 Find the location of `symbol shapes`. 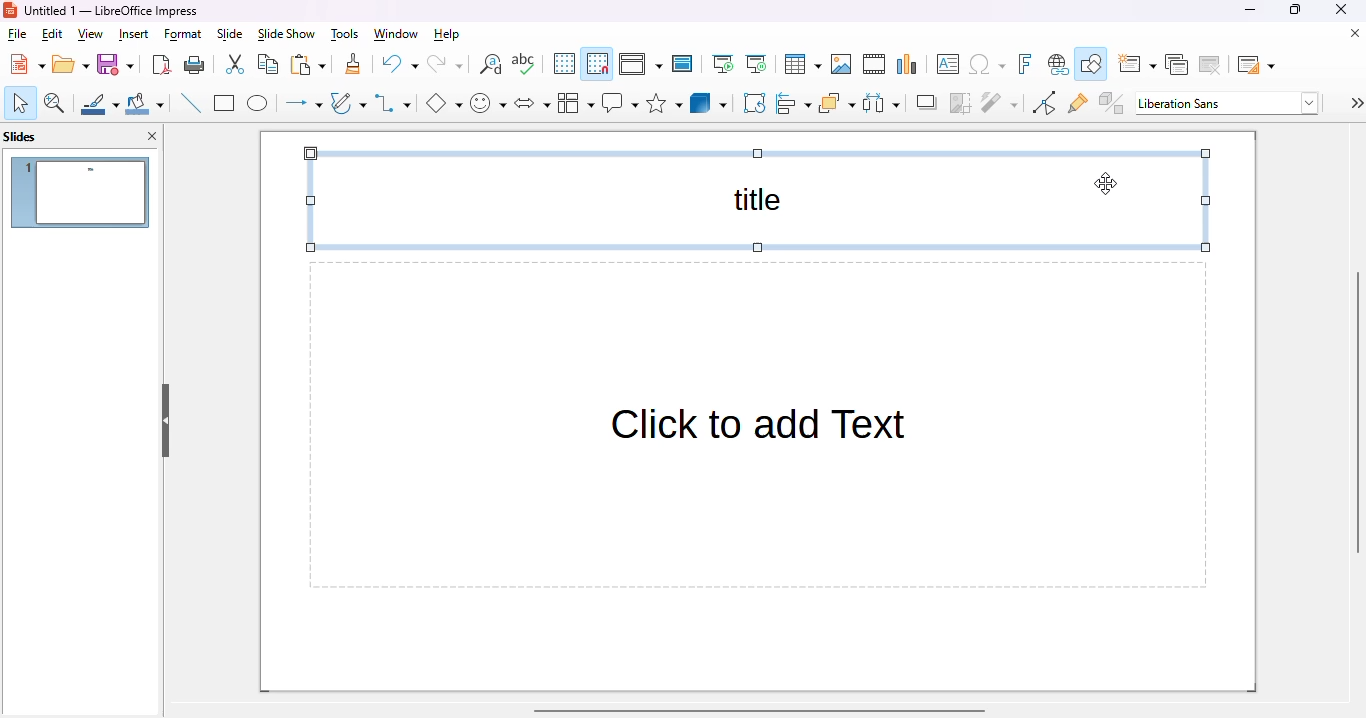

symbol shapes is located at coordinates (488, 103).